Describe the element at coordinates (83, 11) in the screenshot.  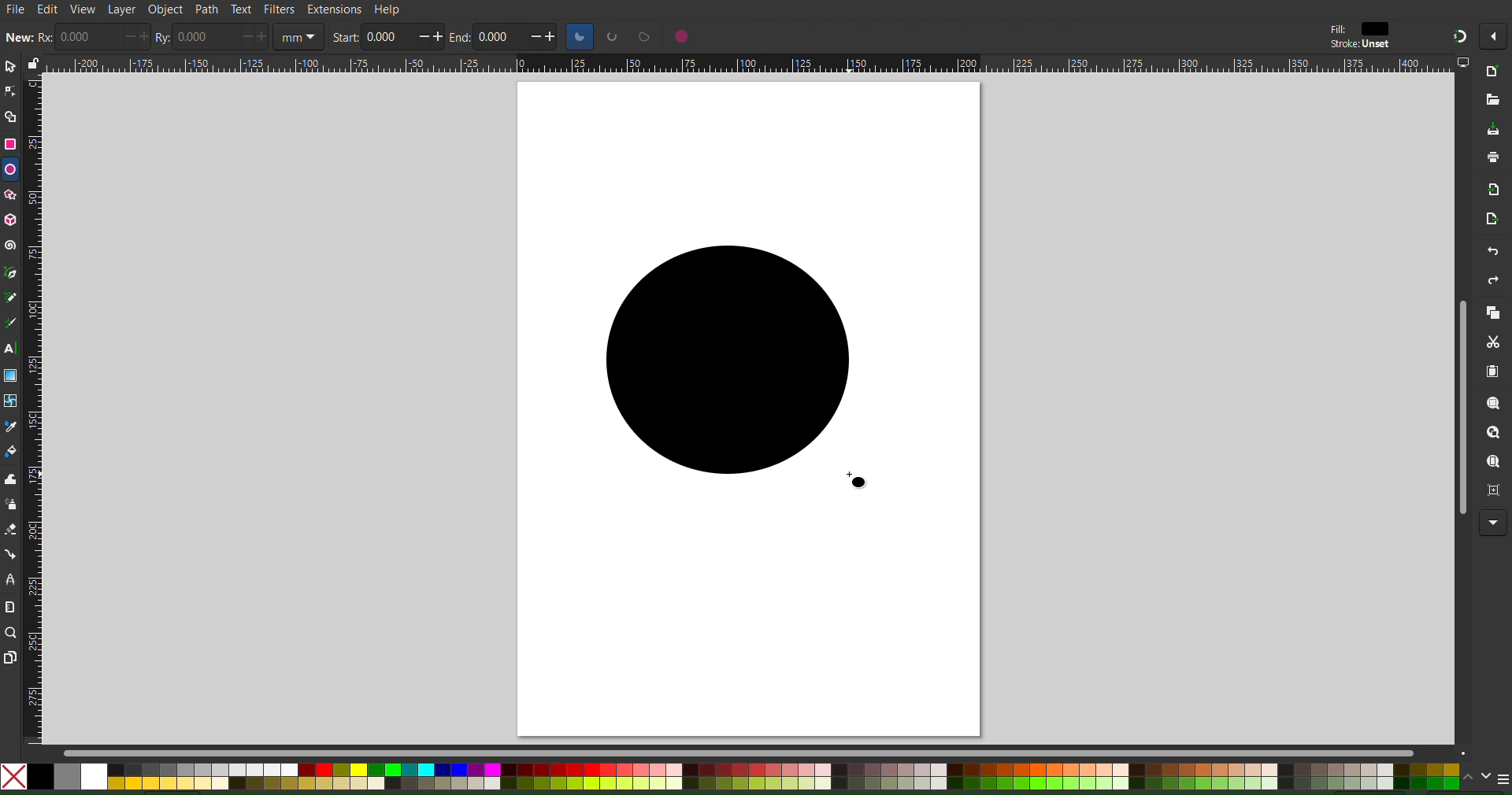
I see `View` at that location.